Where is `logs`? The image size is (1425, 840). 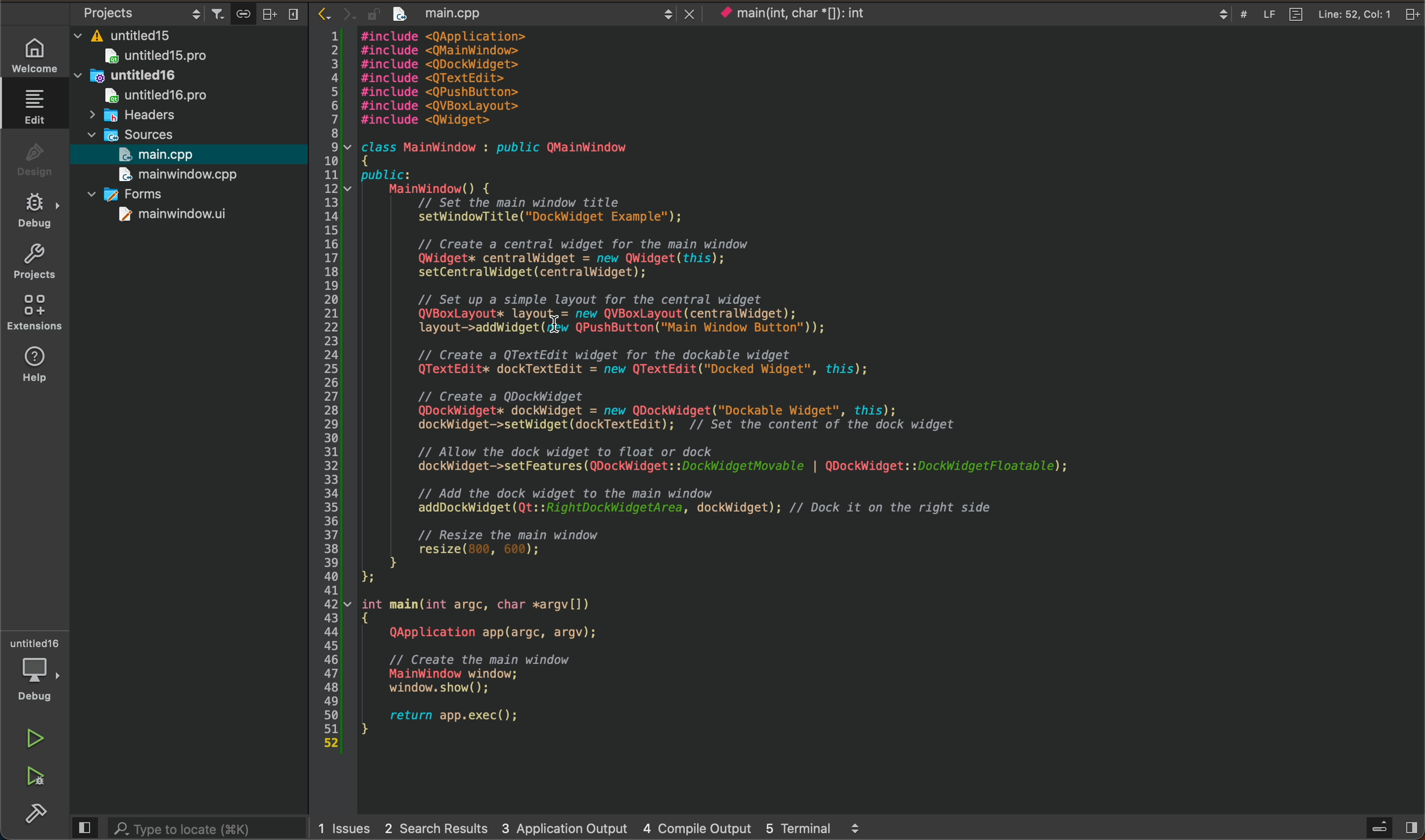
logs is located at coordinates (596, 829).